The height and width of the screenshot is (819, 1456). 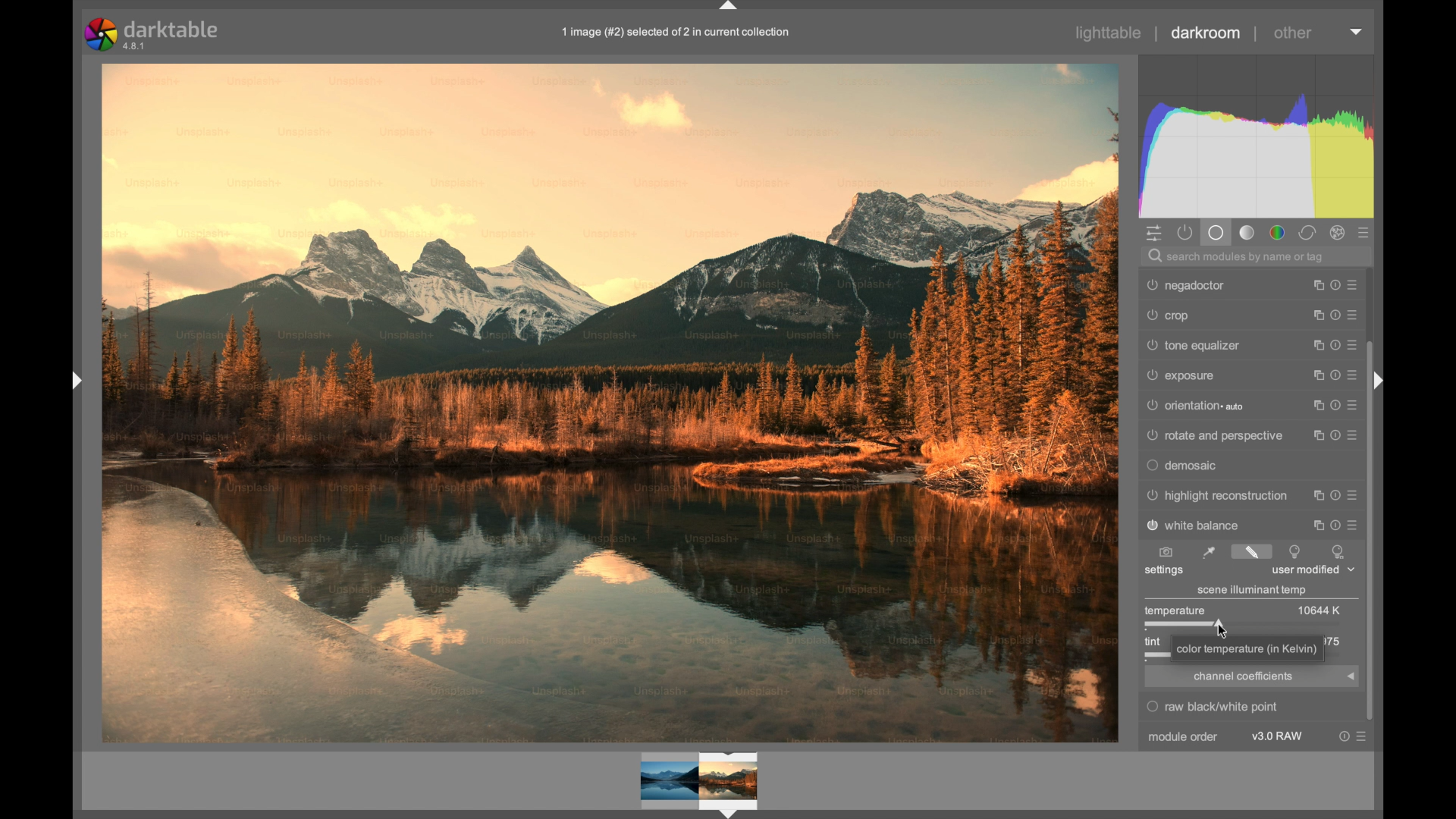 What do you see at coordinates (1315, 570) in the screenshot?
I see `user modified dropdown` at bounding box center [1315, 570].